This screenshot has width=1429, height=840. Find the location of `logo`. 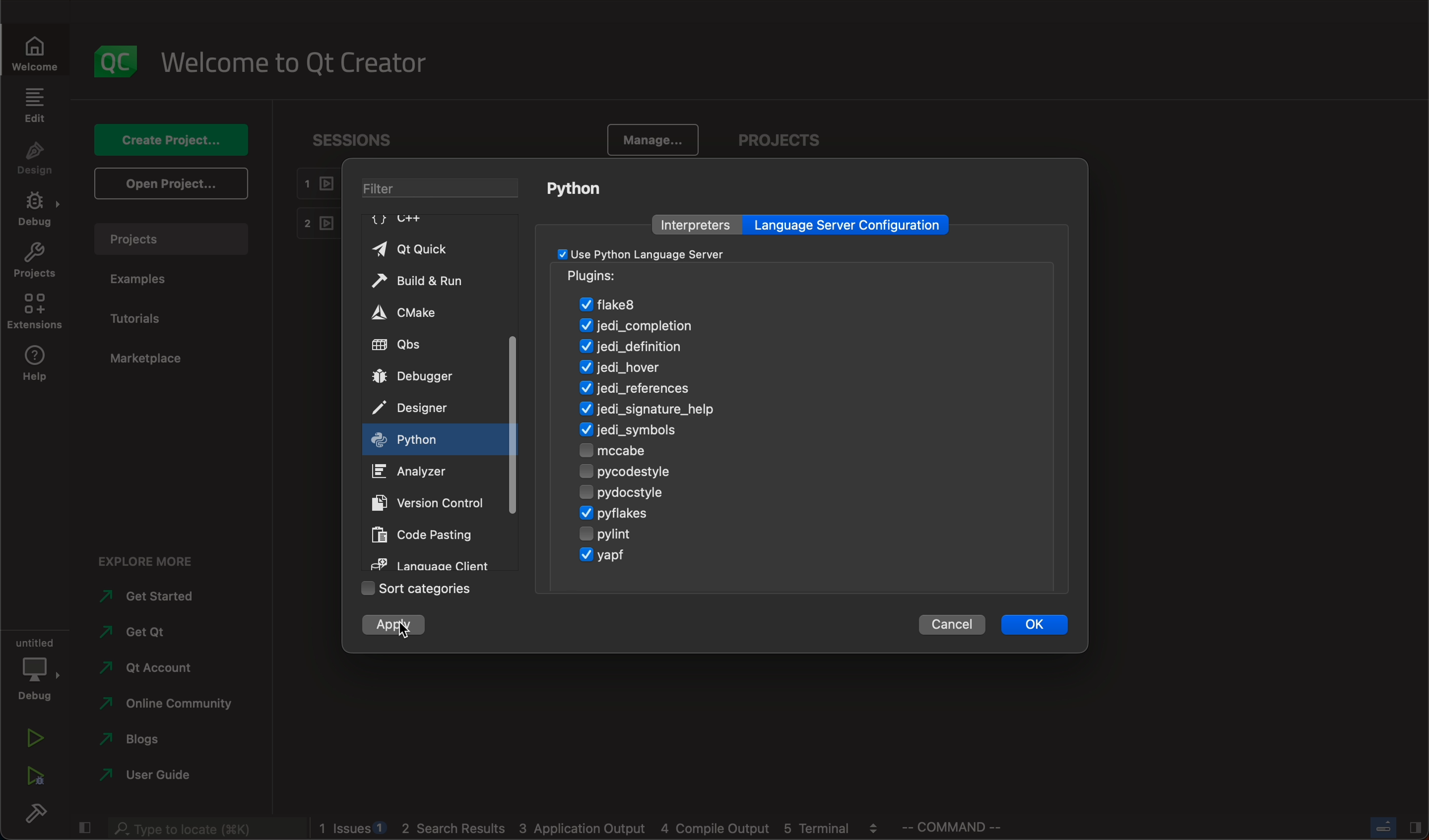

logo is located at coordinates (111, 62).